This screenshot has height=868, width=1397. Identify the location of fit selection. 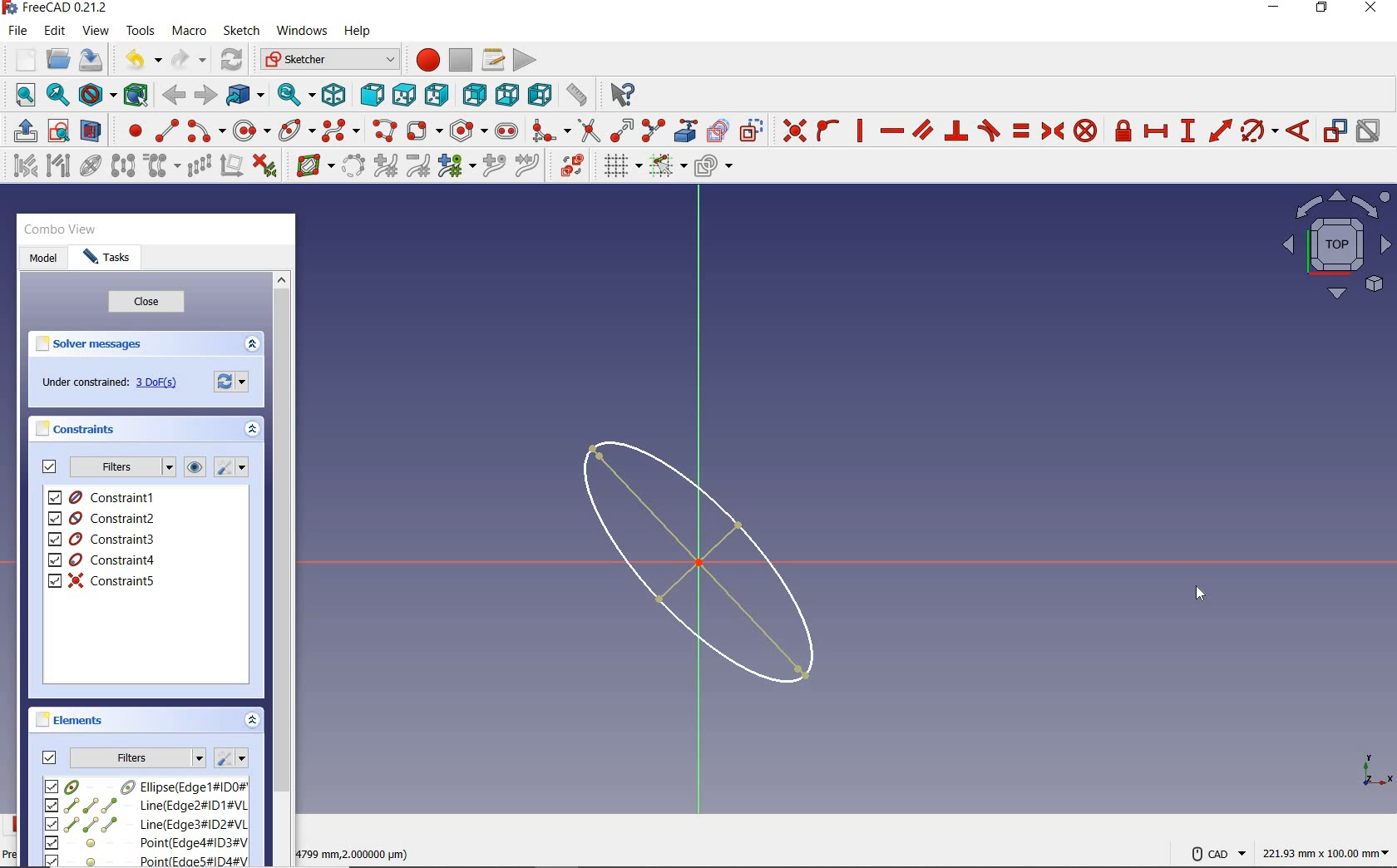
(57, 96).